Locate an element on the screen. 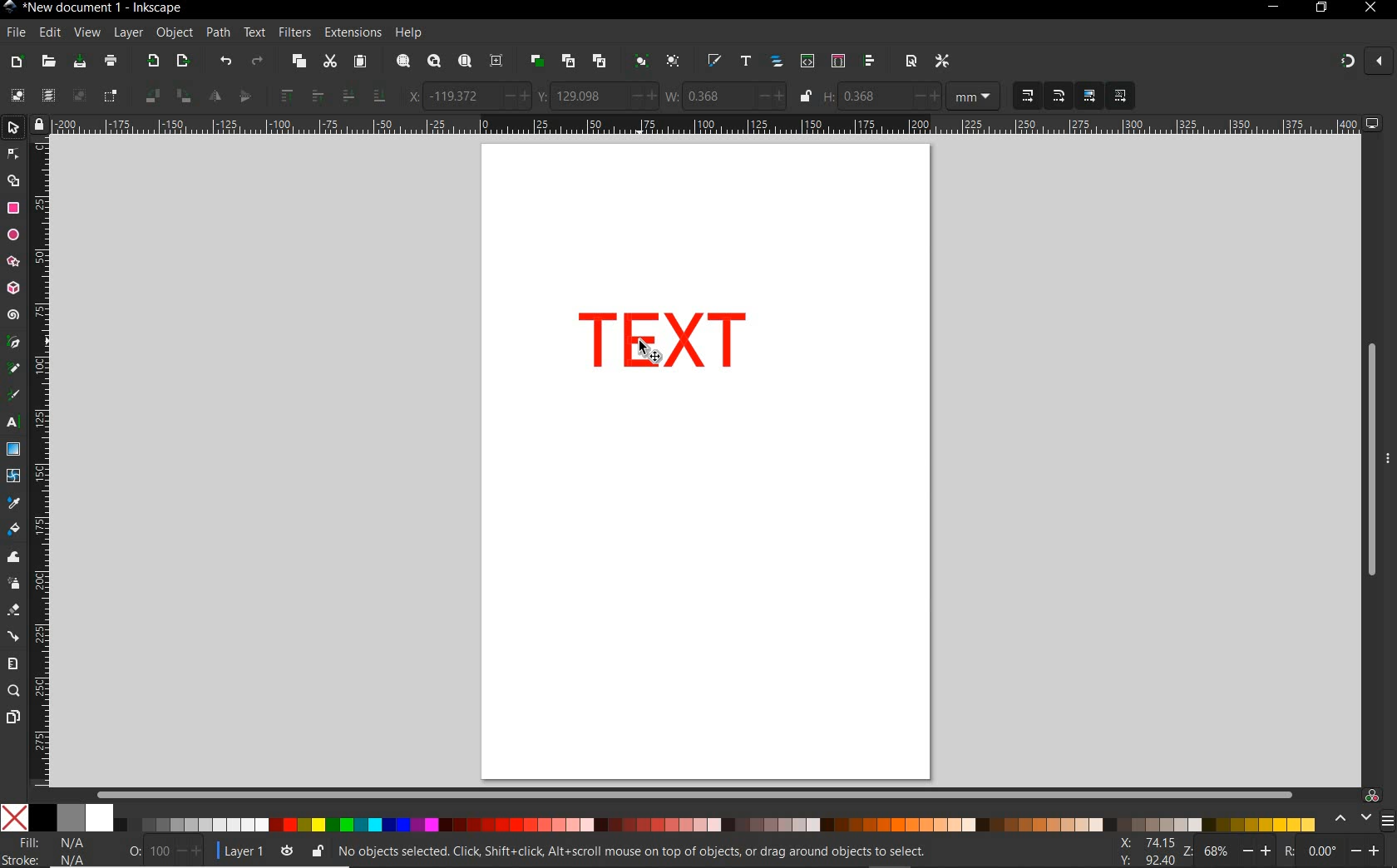 The image size is (1397, 868). ZOOM TOOL is located at coordinates (14, 692).